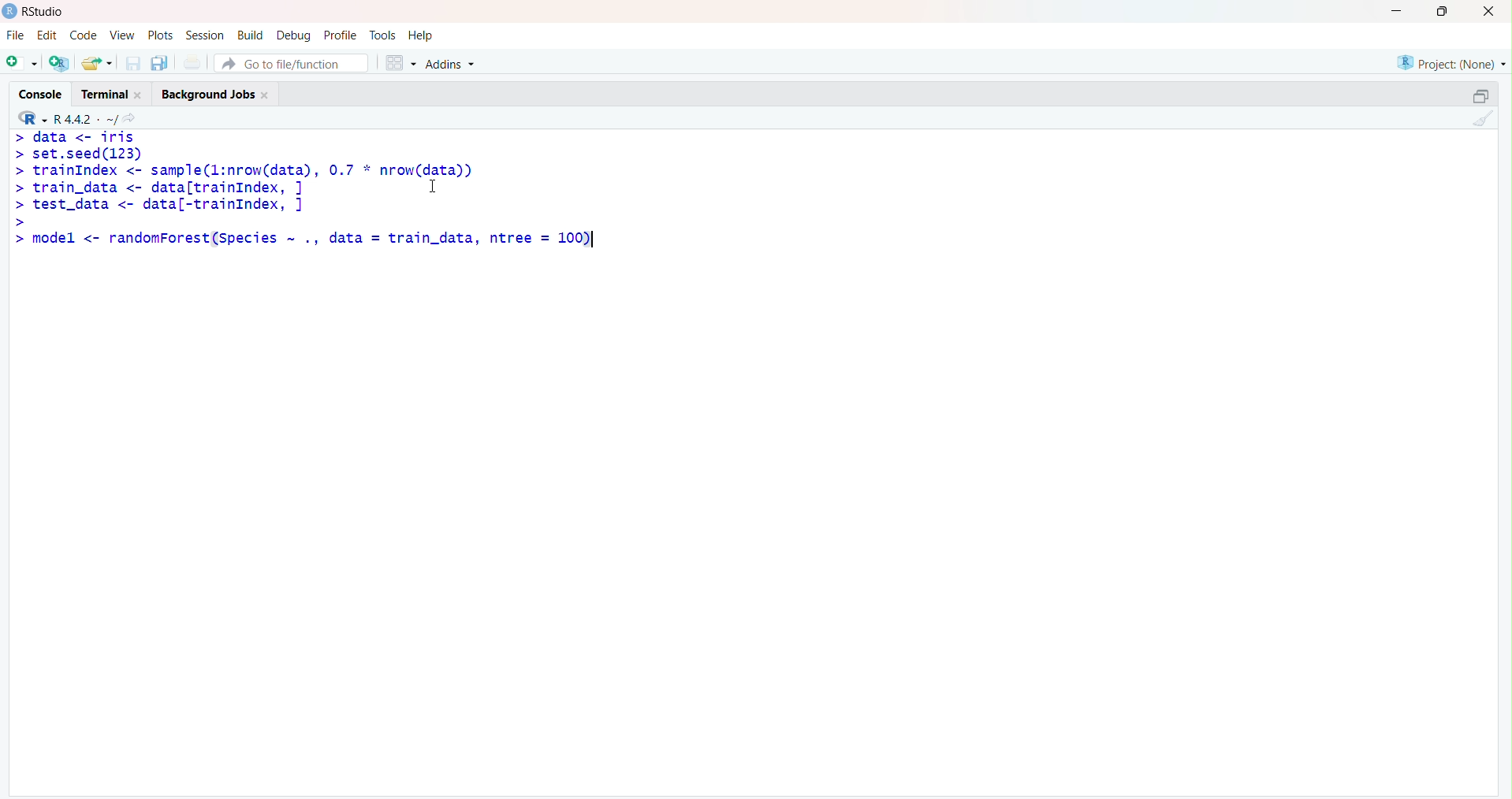 The height and width of the screenshot is (799, 1512). I want to click on Create a project, so click(60, 61).